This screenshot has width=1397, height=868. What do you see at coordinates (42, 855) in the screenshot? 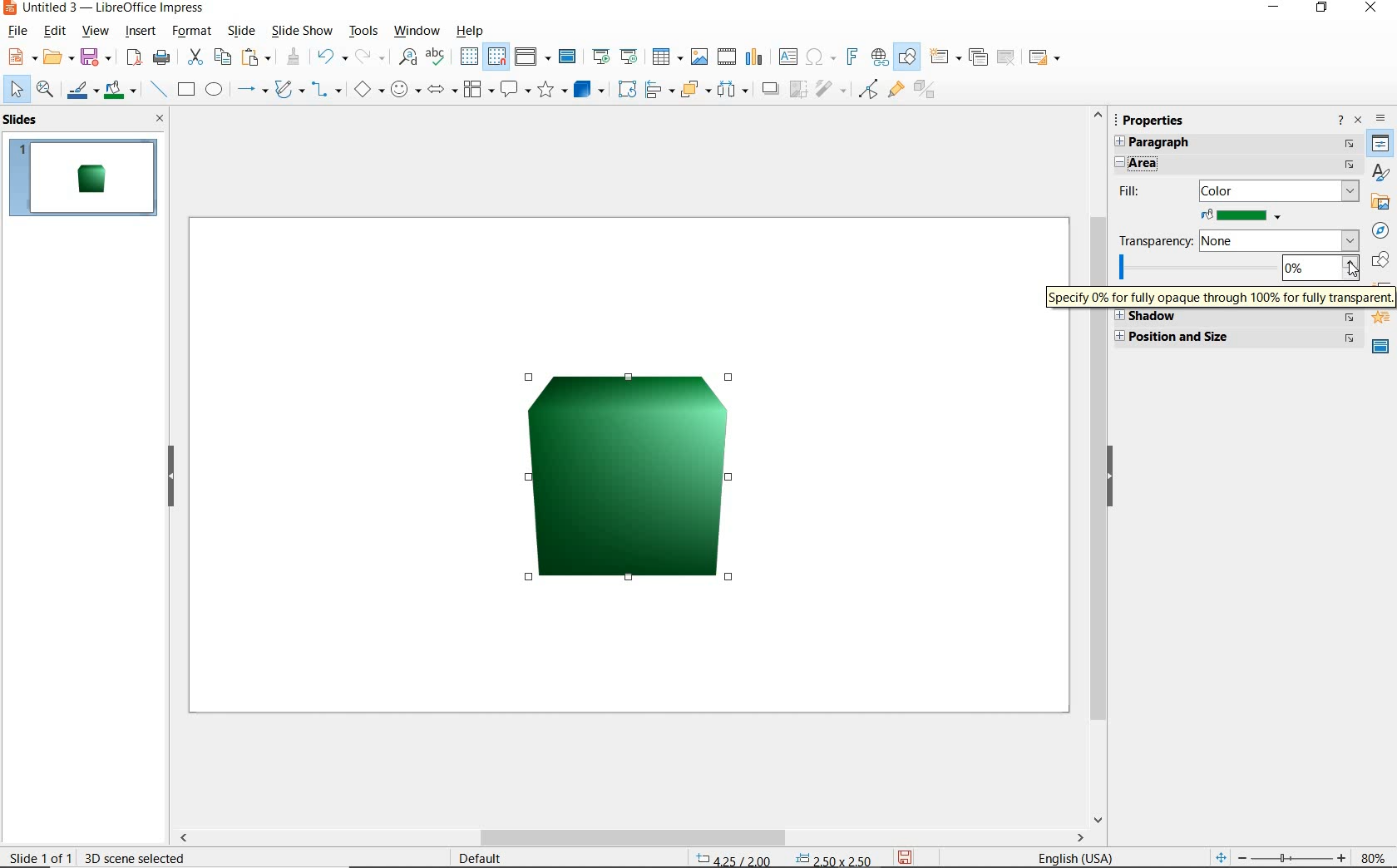
I see `SLIDE 1 OF 1` at bounding box center [42, 855].